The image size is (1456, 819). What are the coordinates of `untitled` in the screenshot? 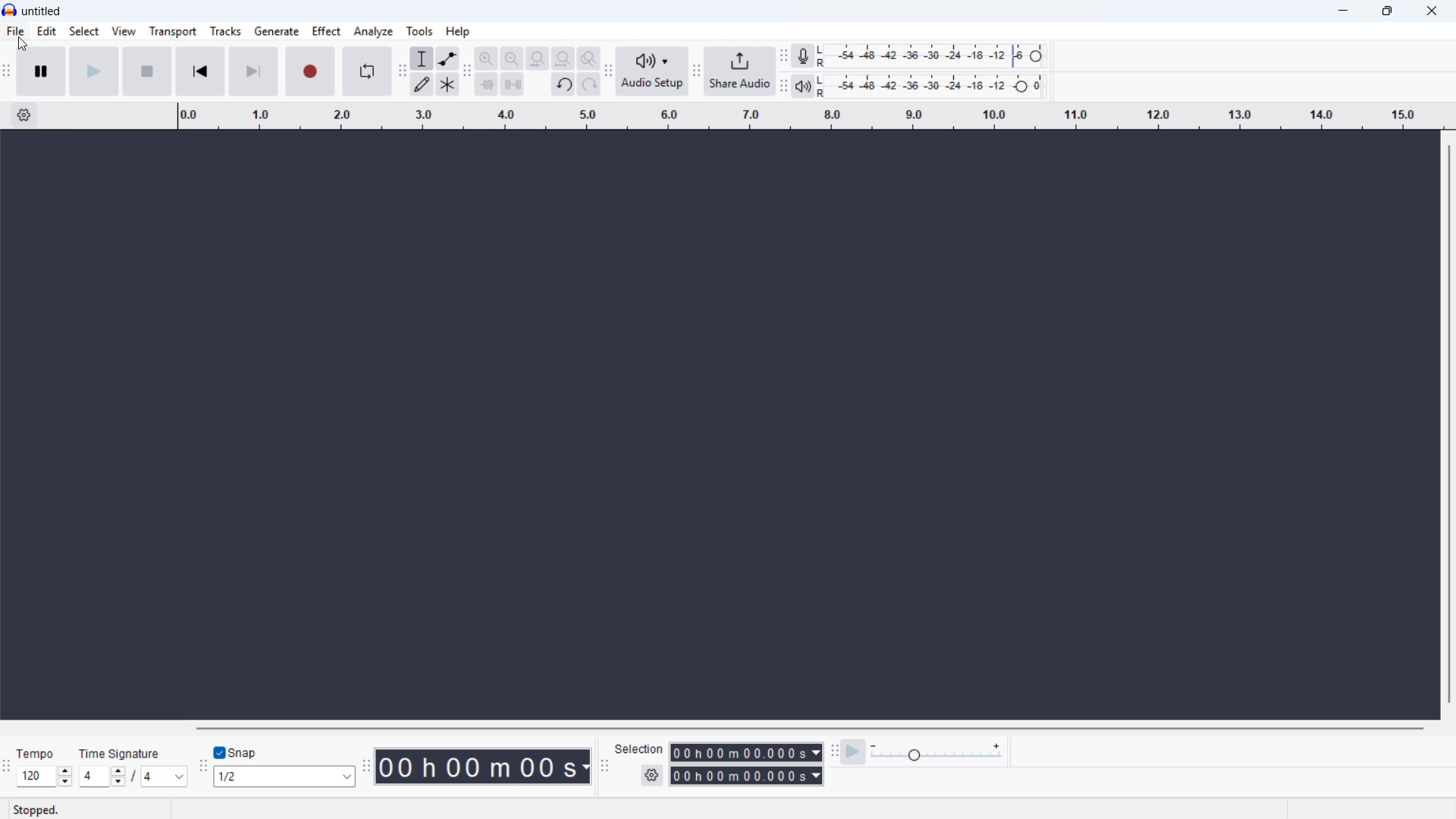 It's located at (42, 12).